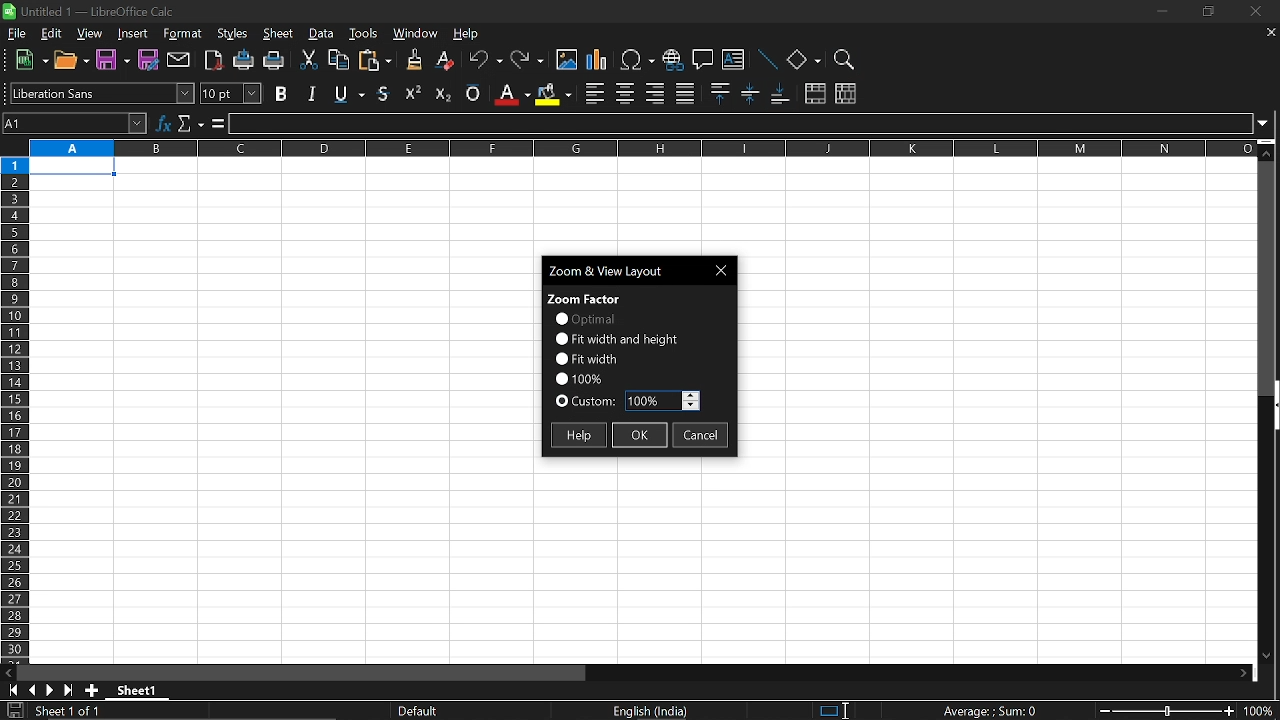 Image resolution: width=1280 pixels, height=720 pixels. I want to click on unmerge cells, so click(845, 93).